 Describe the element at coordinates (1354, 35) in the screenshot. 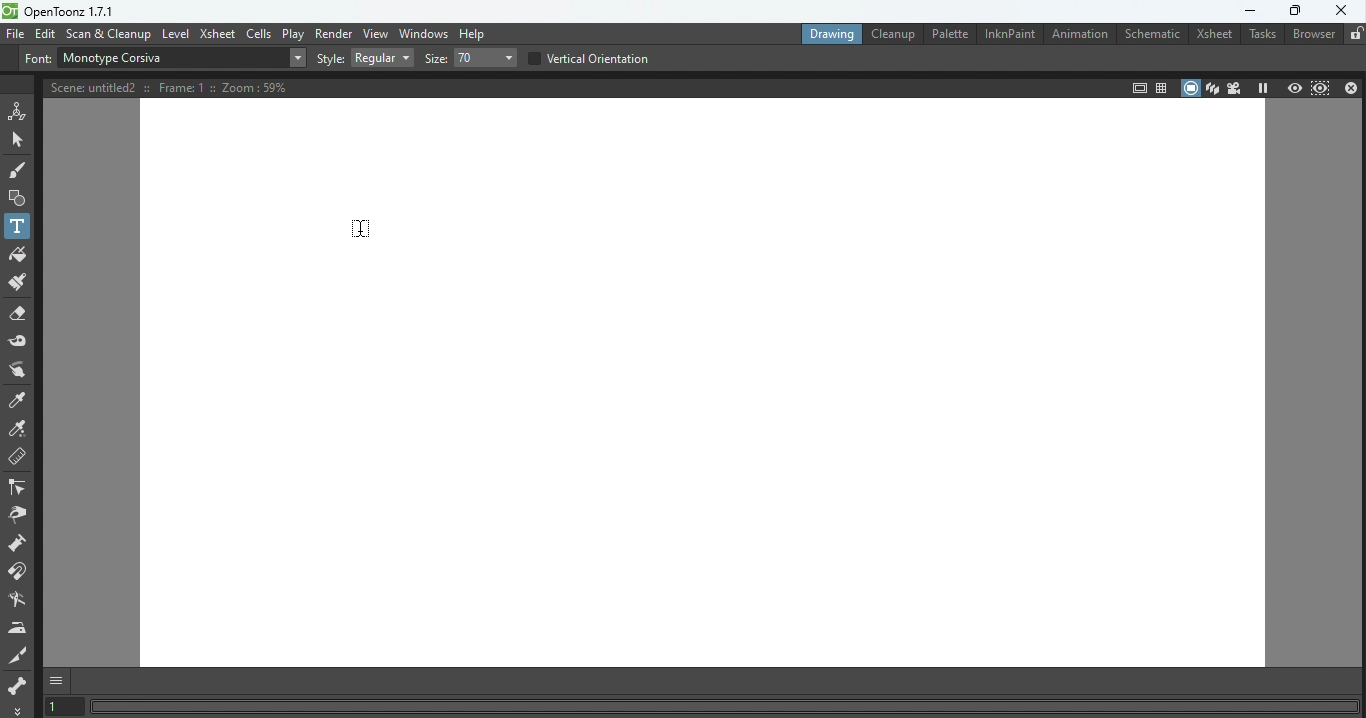

I see `Lock rooms tab` at that location.